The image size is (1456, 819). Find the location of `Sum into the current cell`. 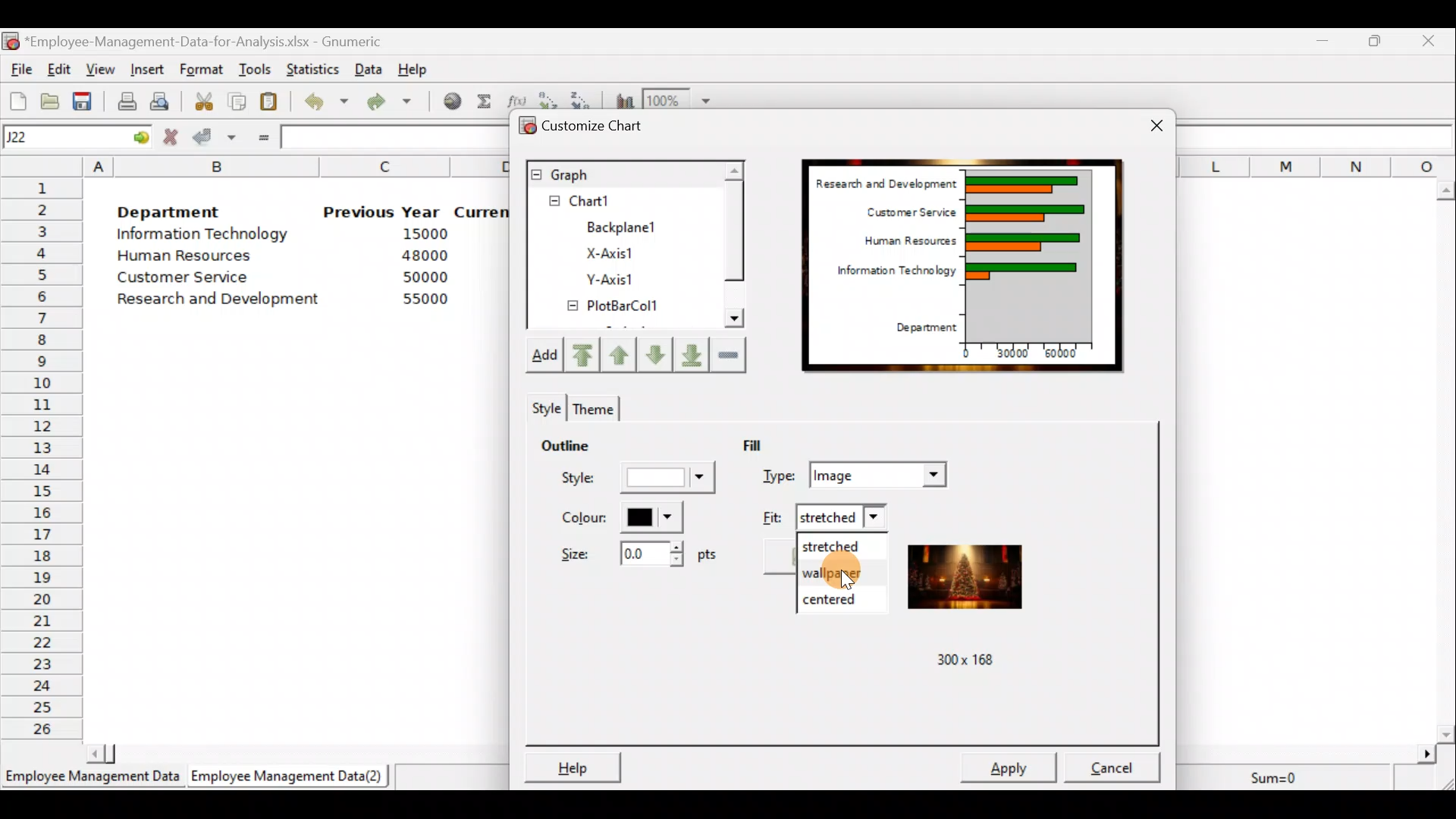

Sum into the current cell is located at coordinates (485, 105).